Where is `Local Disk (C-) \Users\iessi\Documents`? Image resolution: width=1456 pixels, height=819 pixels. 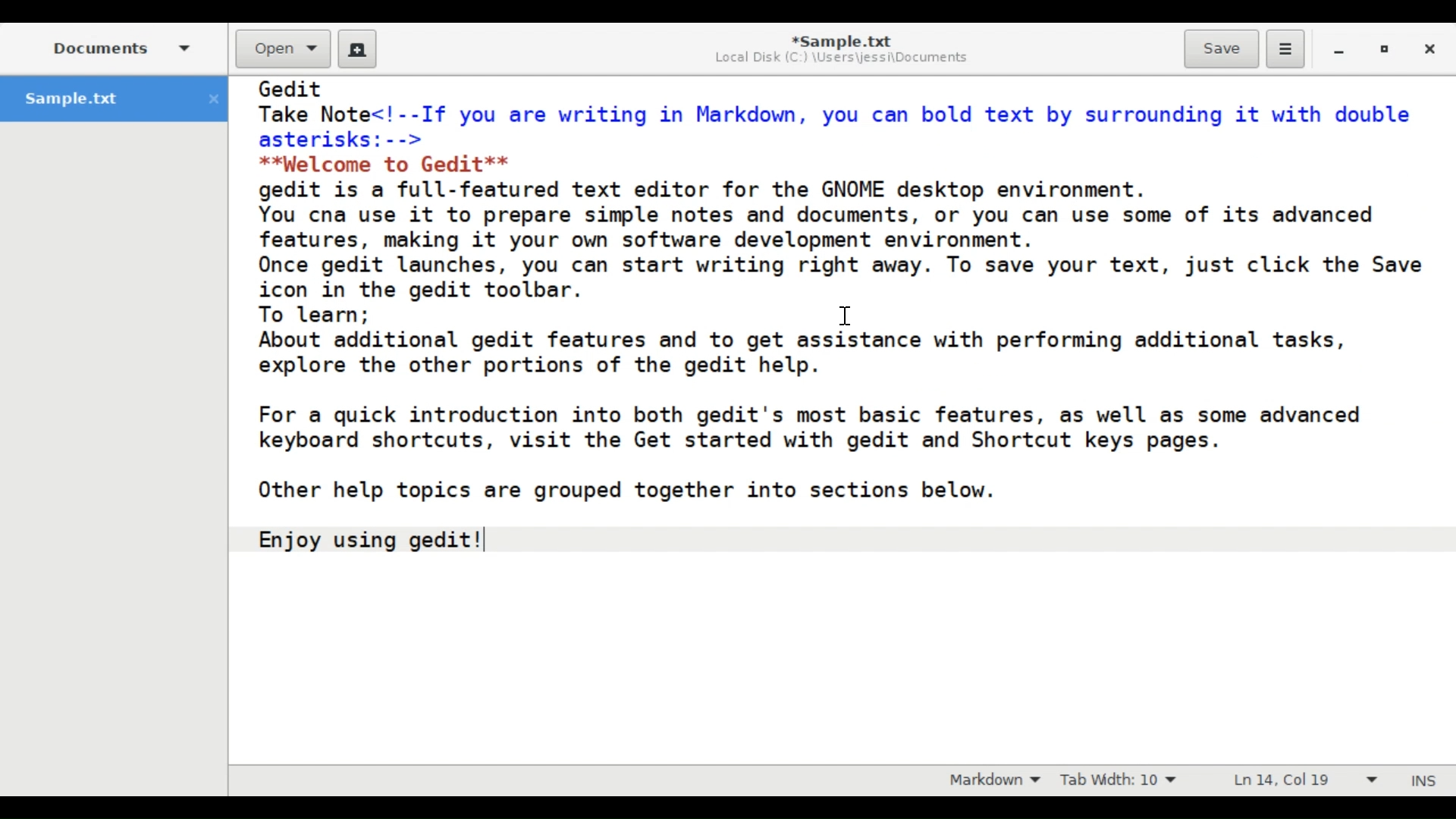 Local Disk (C-) \Users\iessi\Documents is located at coordinates (838, 60).